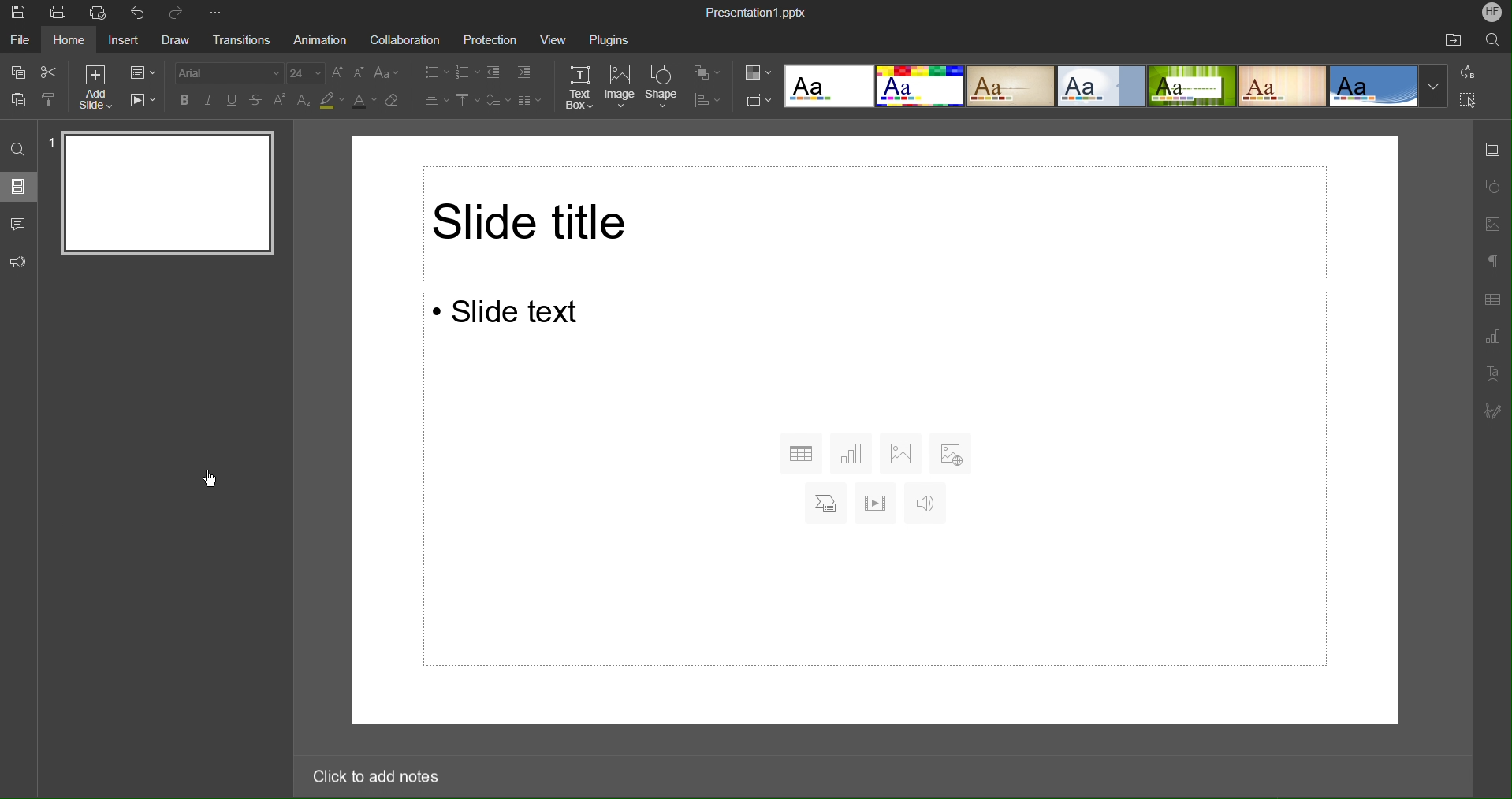 This screenshot has height=799, width=1512. Describe the element at coordinates (661, 87) in the screenshot. I see `Shape` at that location.